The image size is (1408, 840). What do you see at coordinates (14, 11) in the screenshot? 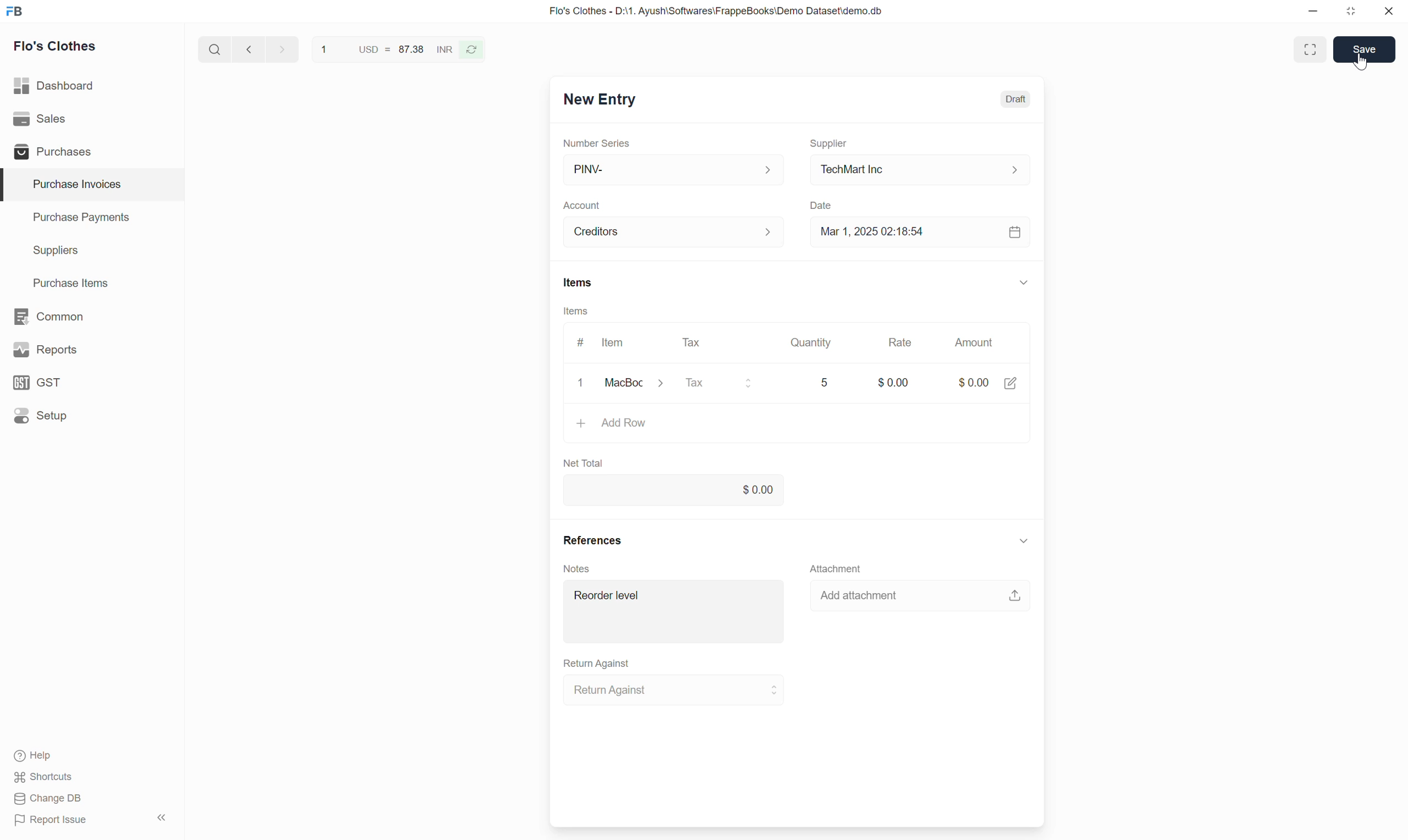
I see `Frappe Books logo` at bounding box center [14, 11].